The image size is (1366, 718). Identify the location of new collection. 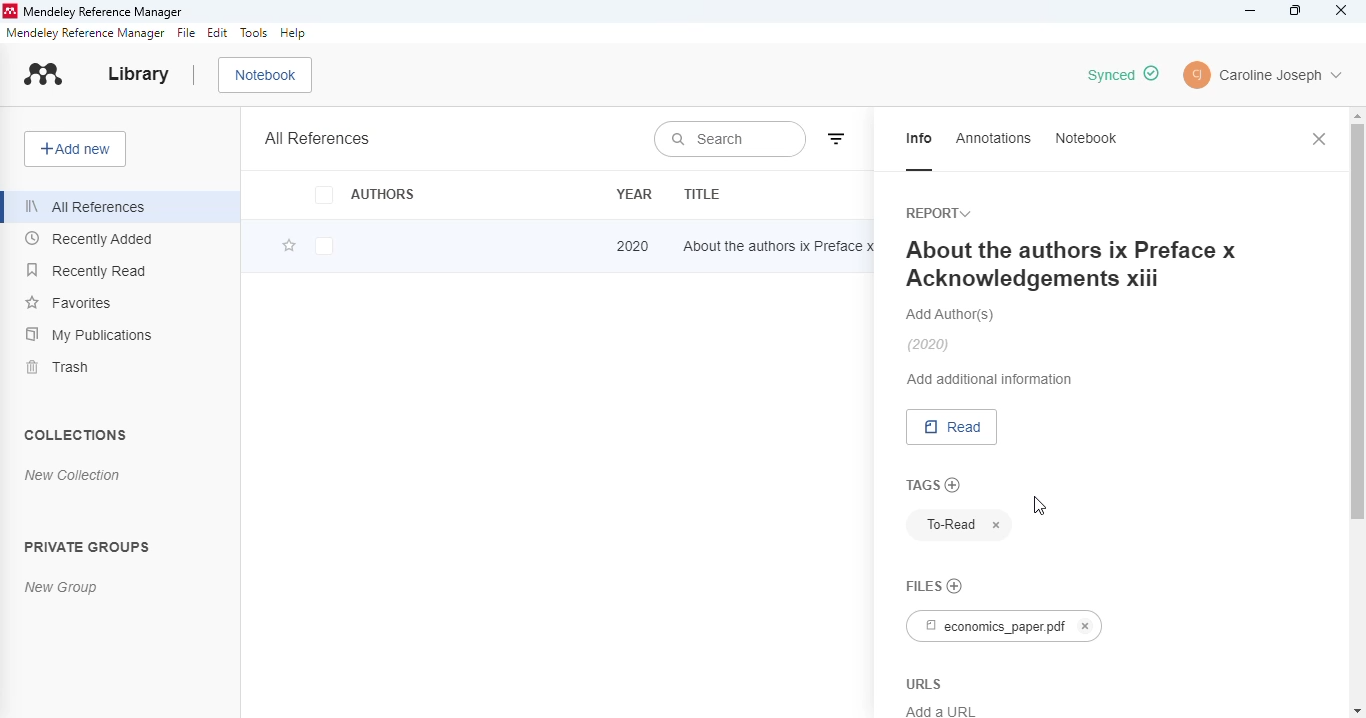
(73, 475).